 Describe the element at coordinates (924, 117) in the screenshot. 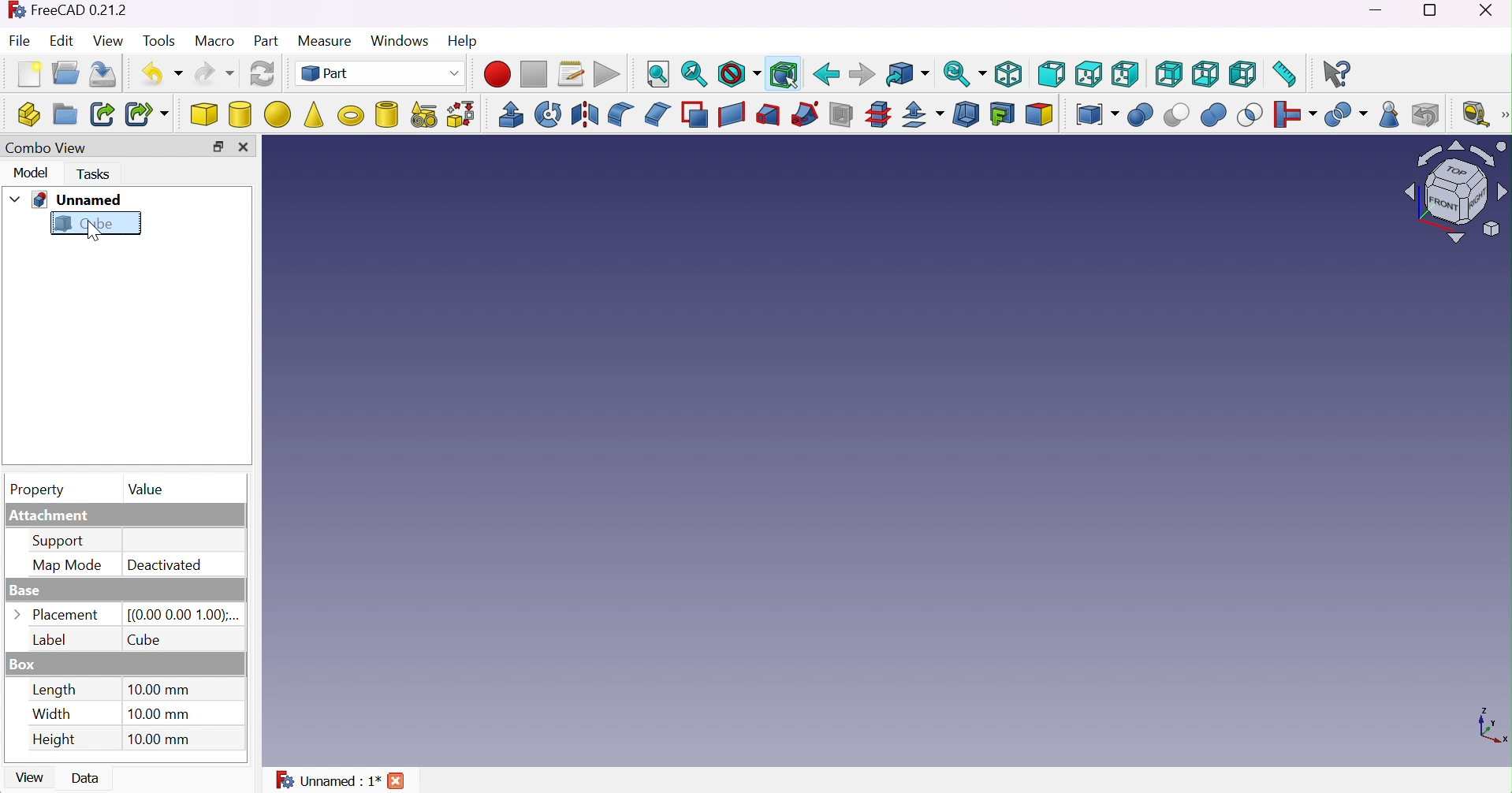

I see `Offset:` at that location.